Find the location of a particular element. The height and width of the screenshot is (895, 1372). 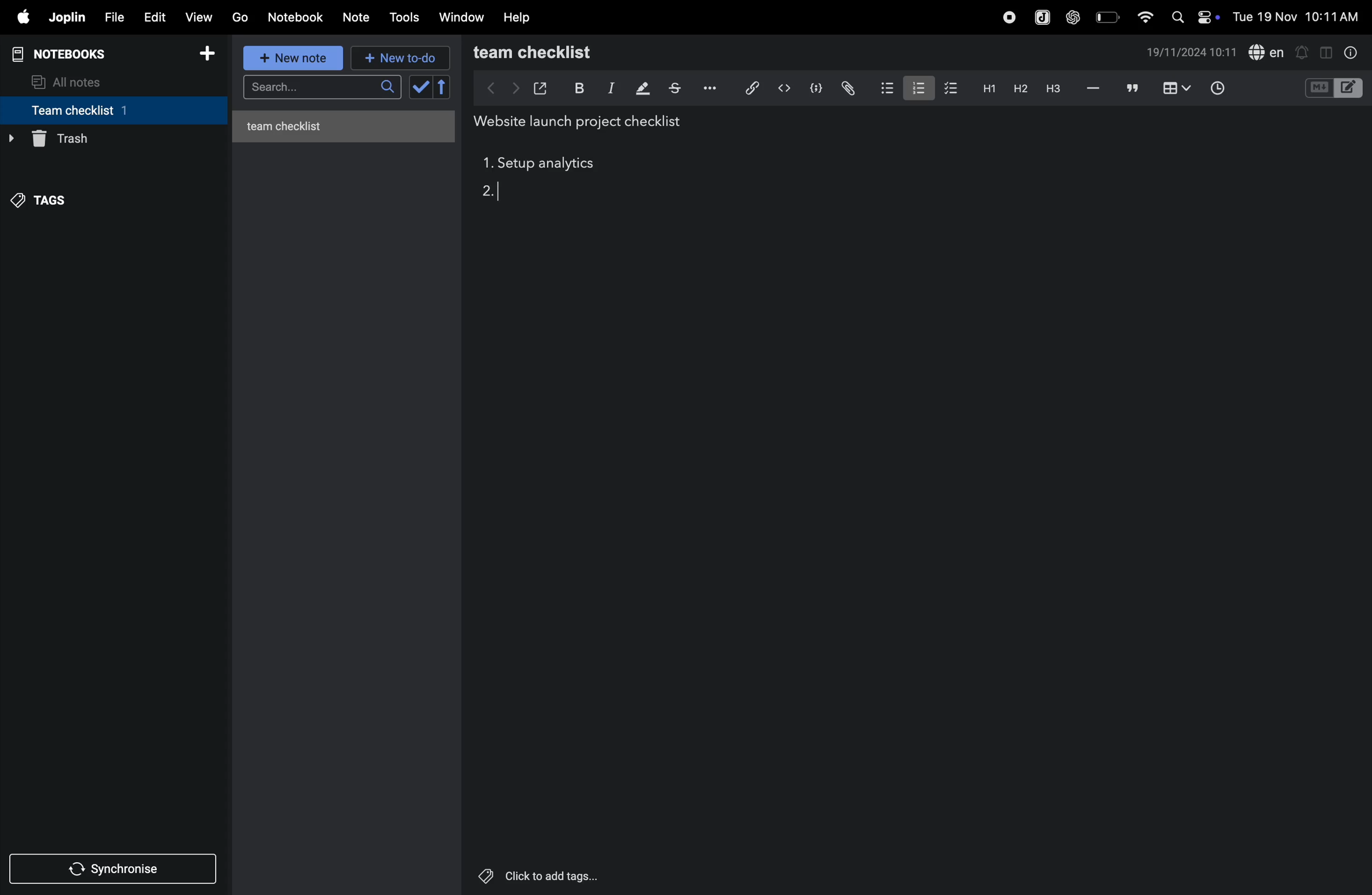

inline code is located at coordinates (784, 88).